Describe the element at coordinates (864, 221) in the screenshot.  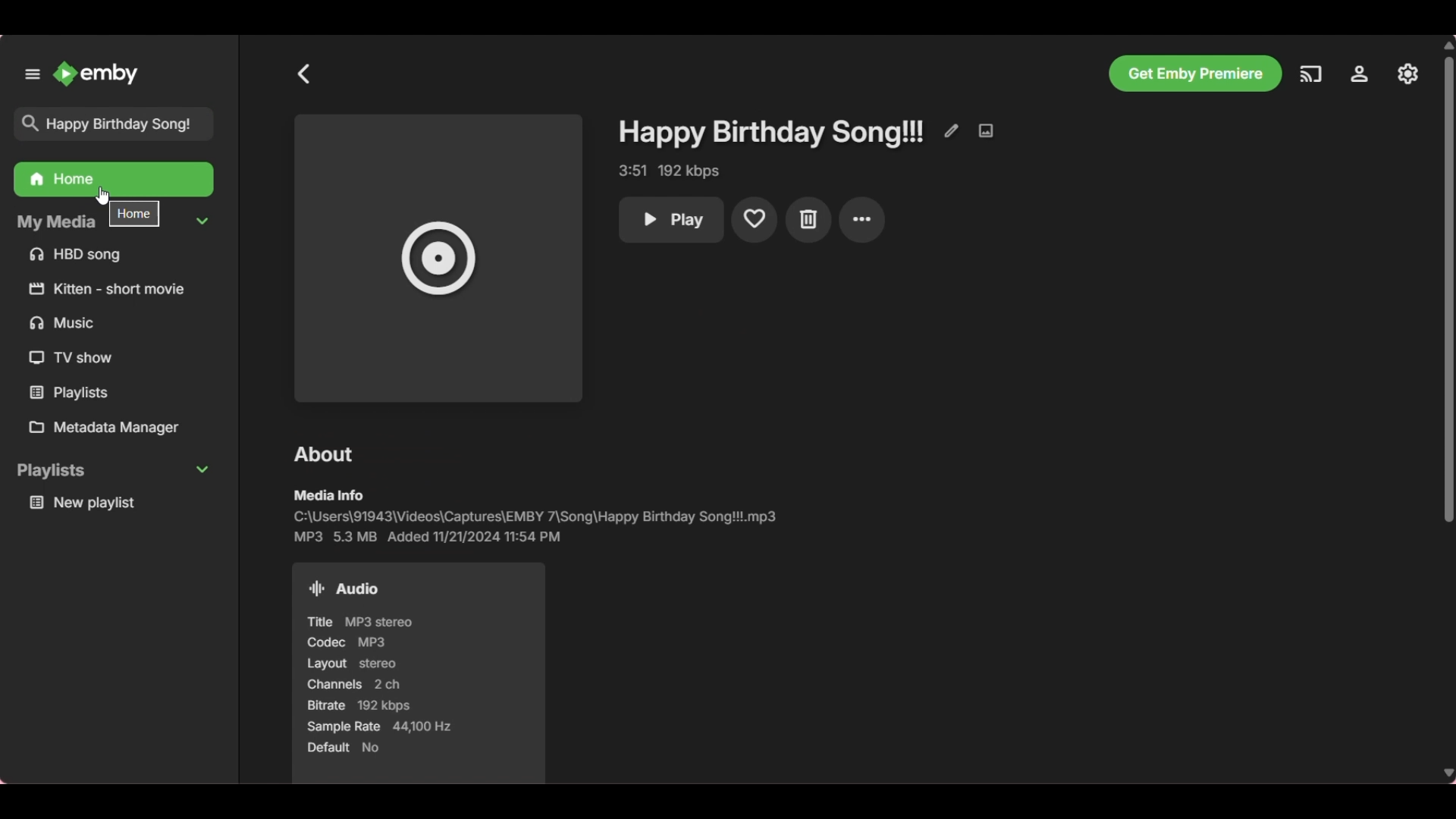
I see ` more settings` at that location.